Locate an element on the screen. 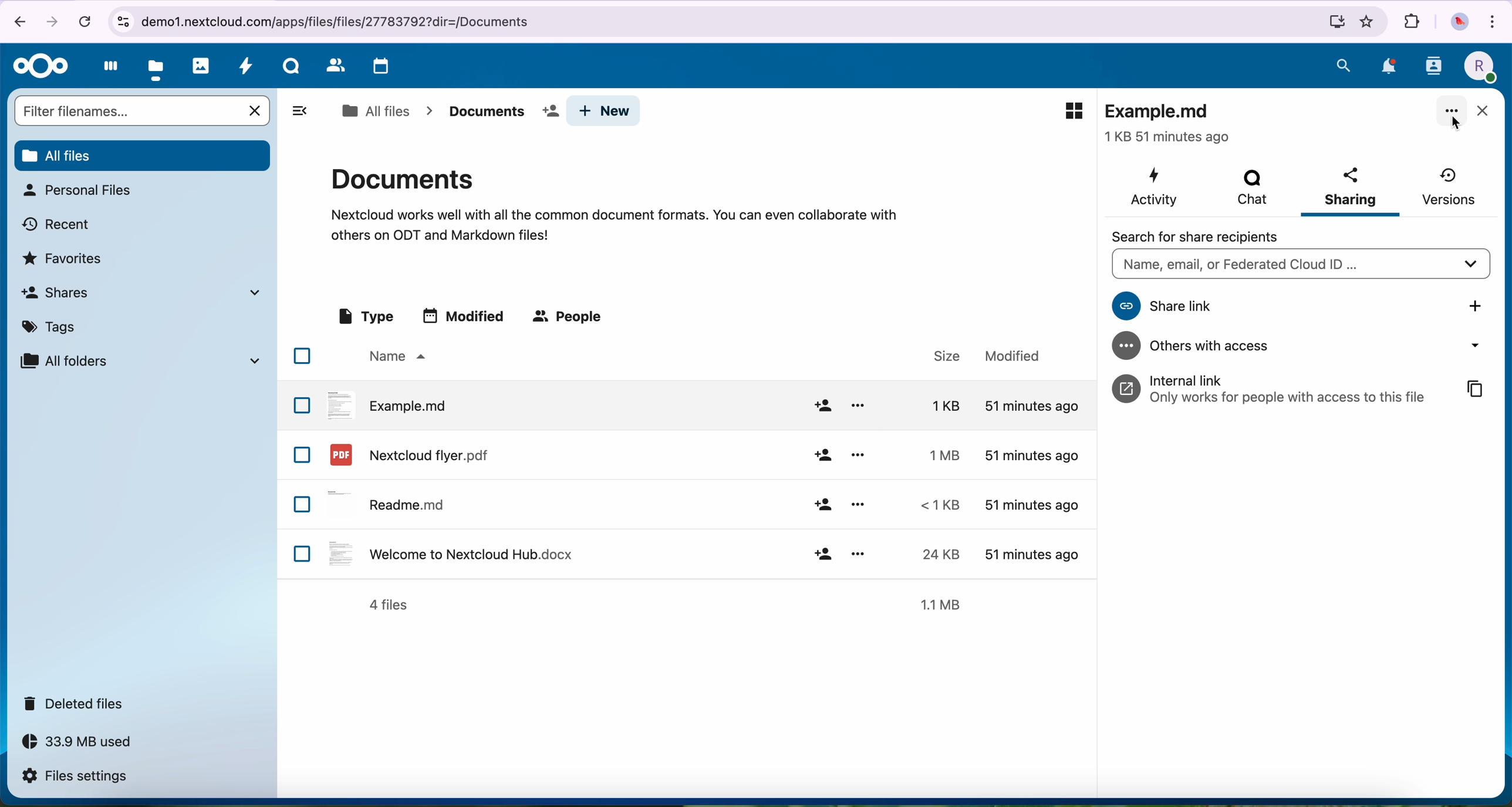 The width and height of the screenshot is (1512, 807). size is located at coordinates (937, 505).